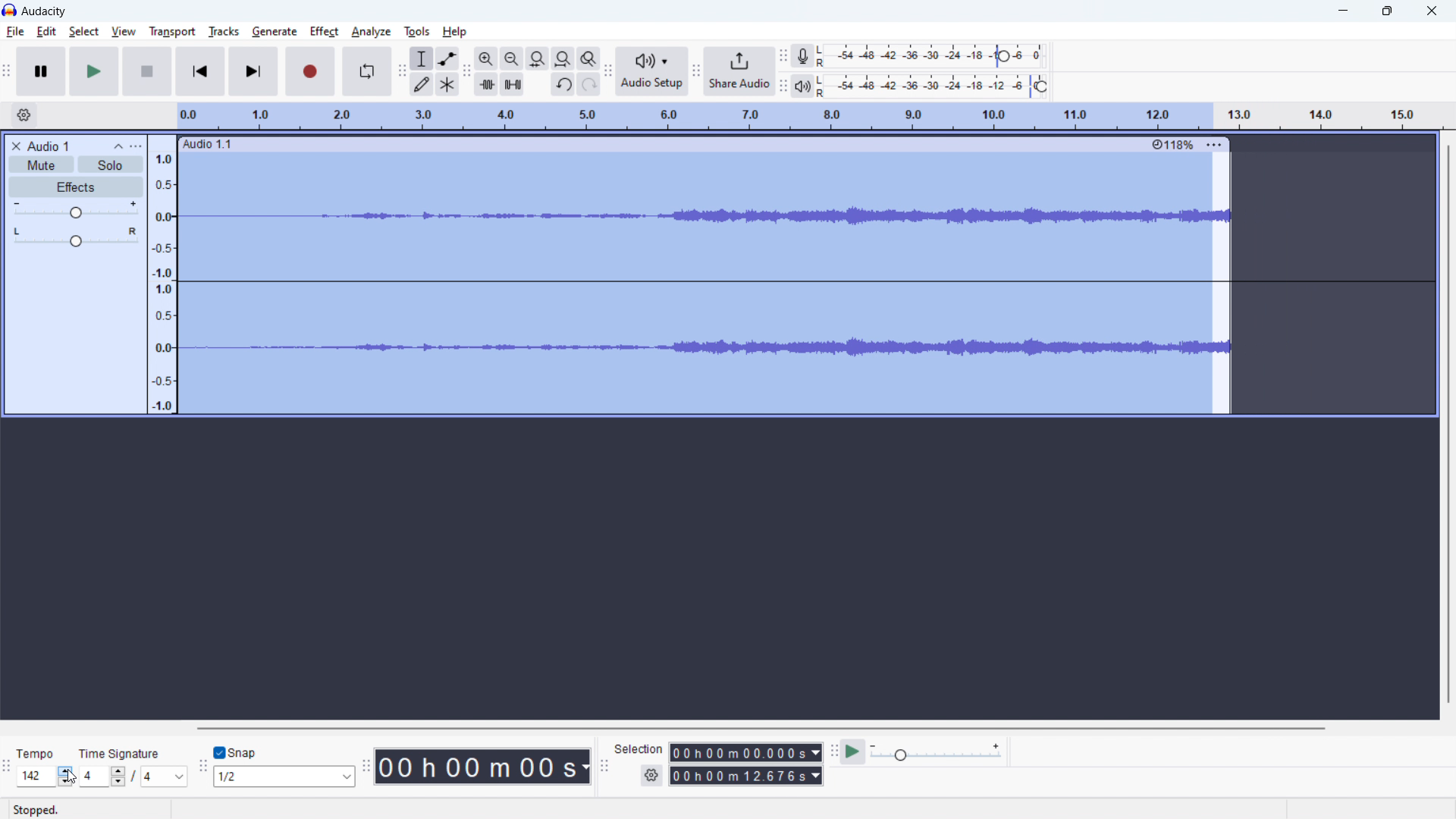  I want to click on effect, so click(325, 32).